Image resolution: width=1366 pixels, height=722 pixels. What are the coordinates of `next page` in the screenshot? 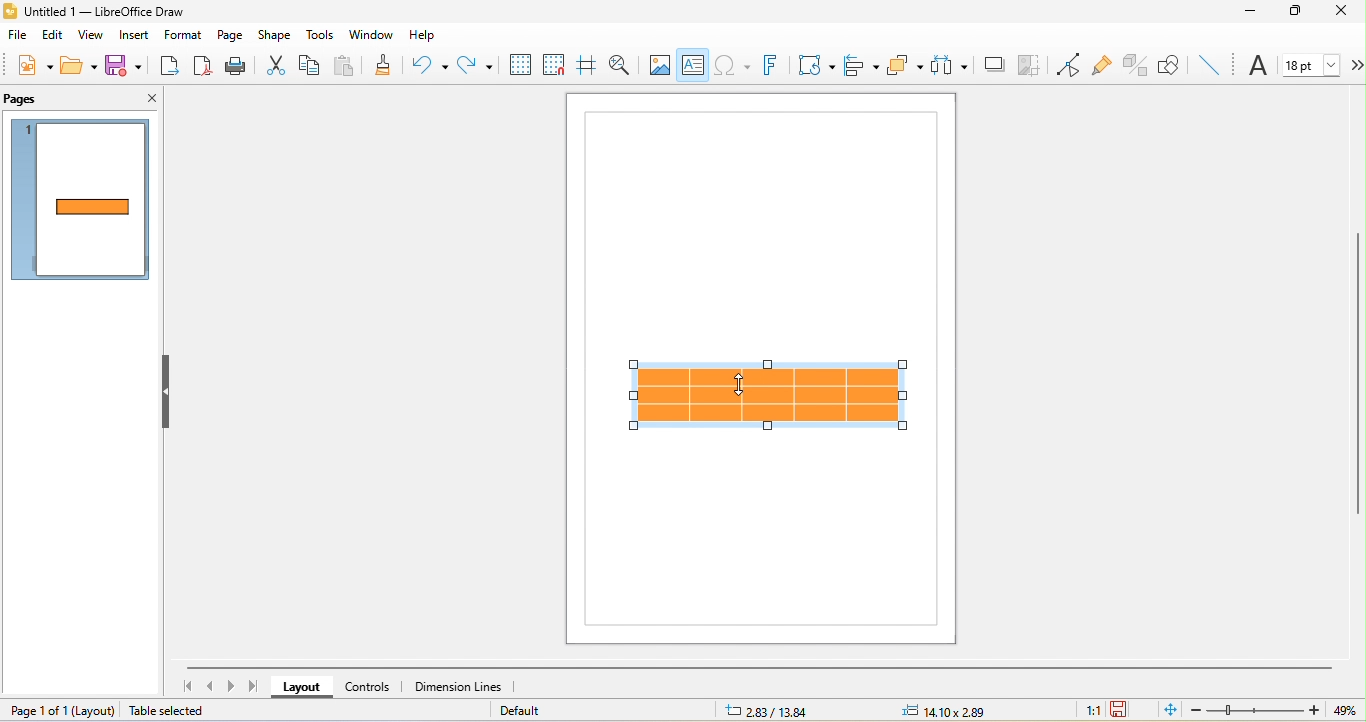 It's located at (234, 688).